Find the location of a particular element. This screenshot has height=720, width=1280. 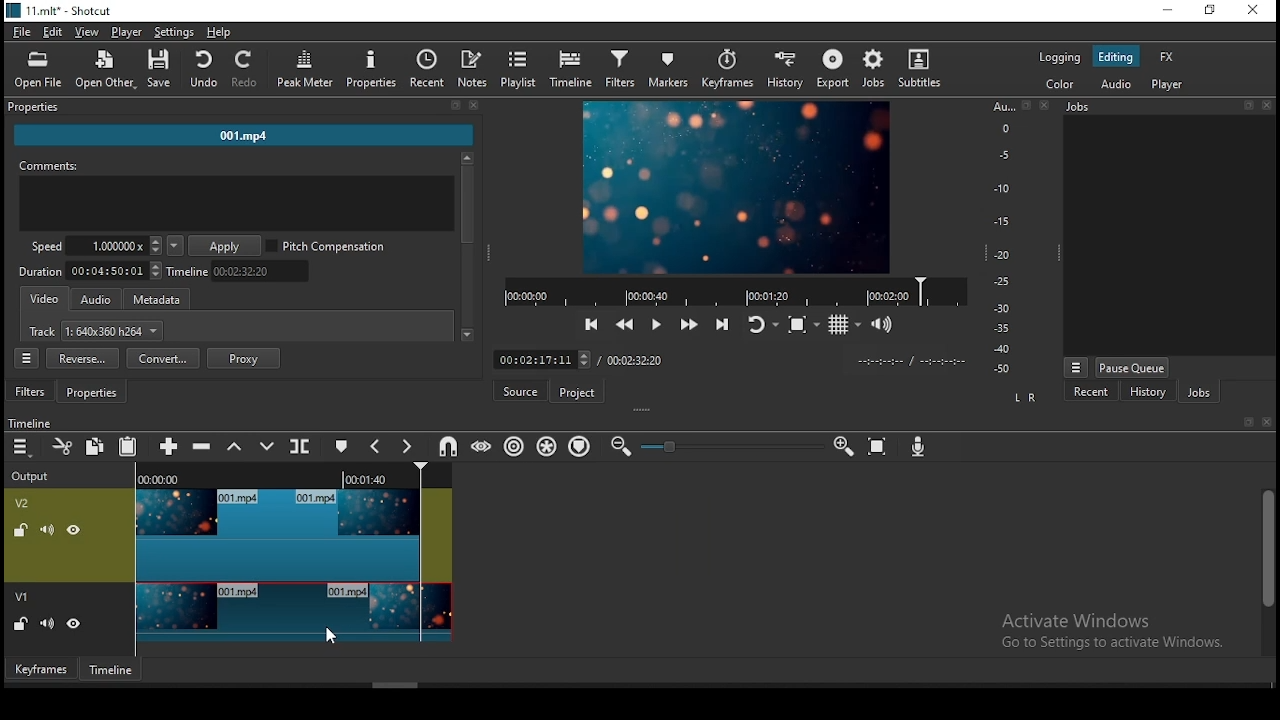

V1 is located at coordinates (24, 598).